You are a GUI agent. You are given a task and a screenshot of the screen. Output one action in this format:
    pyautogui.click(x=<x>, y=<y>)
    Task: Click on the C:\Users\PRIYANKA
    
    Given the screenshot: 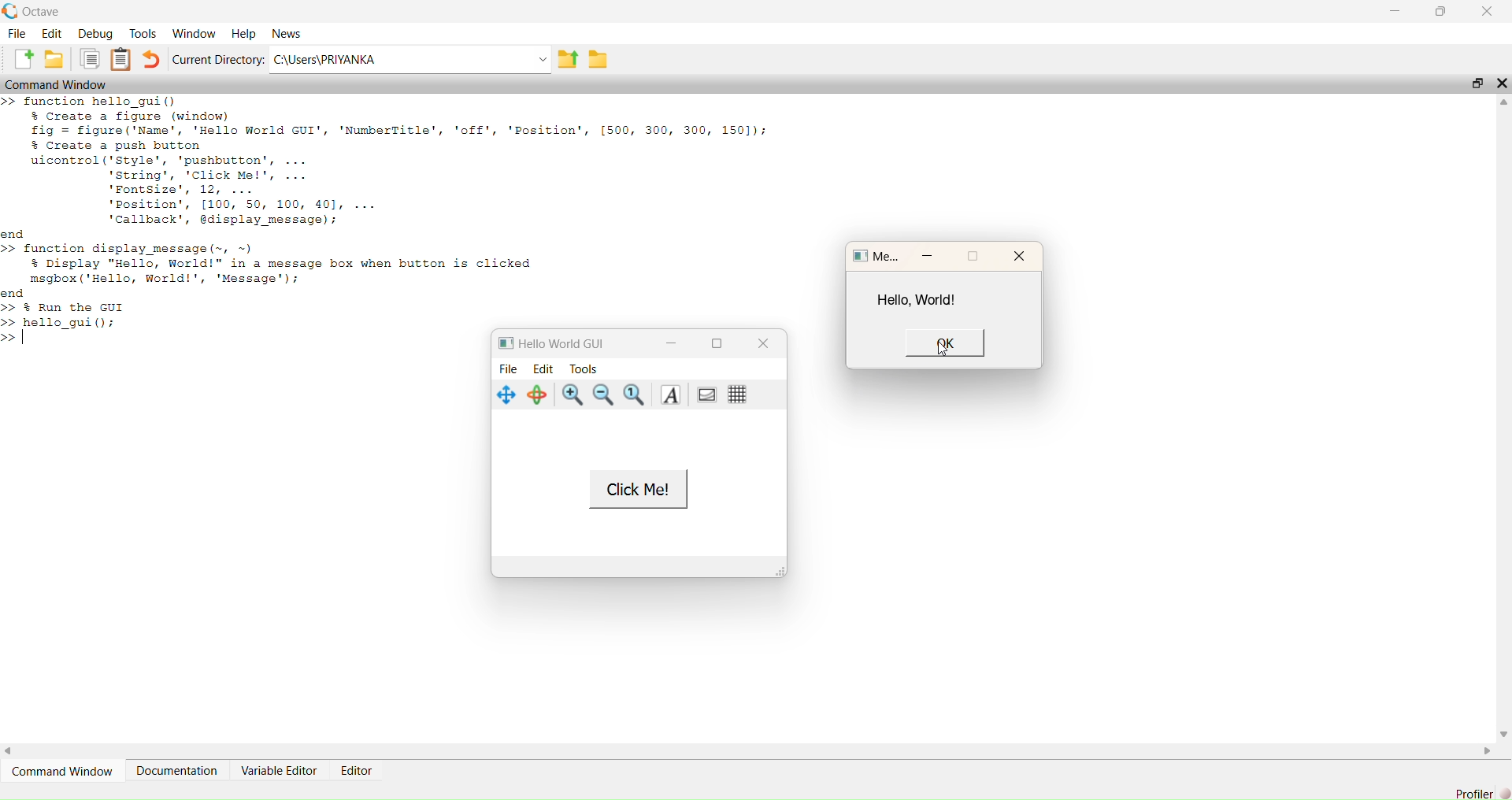 What is the action you would take?
    pyautogui.click(x=343, y=59)
    